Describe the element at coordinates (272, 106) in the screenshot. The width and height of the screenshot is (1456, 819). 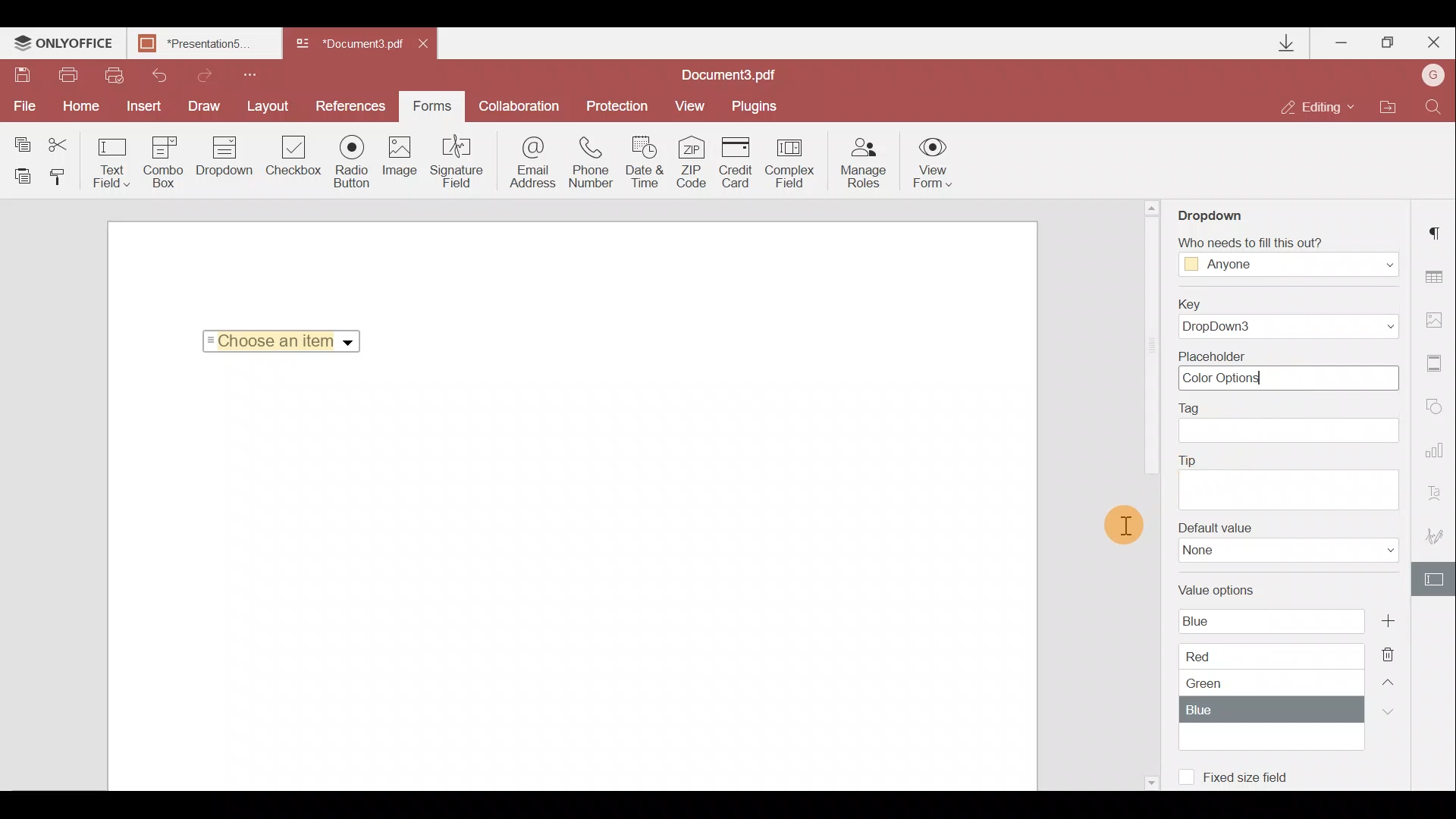
I see `Layout` at that location.